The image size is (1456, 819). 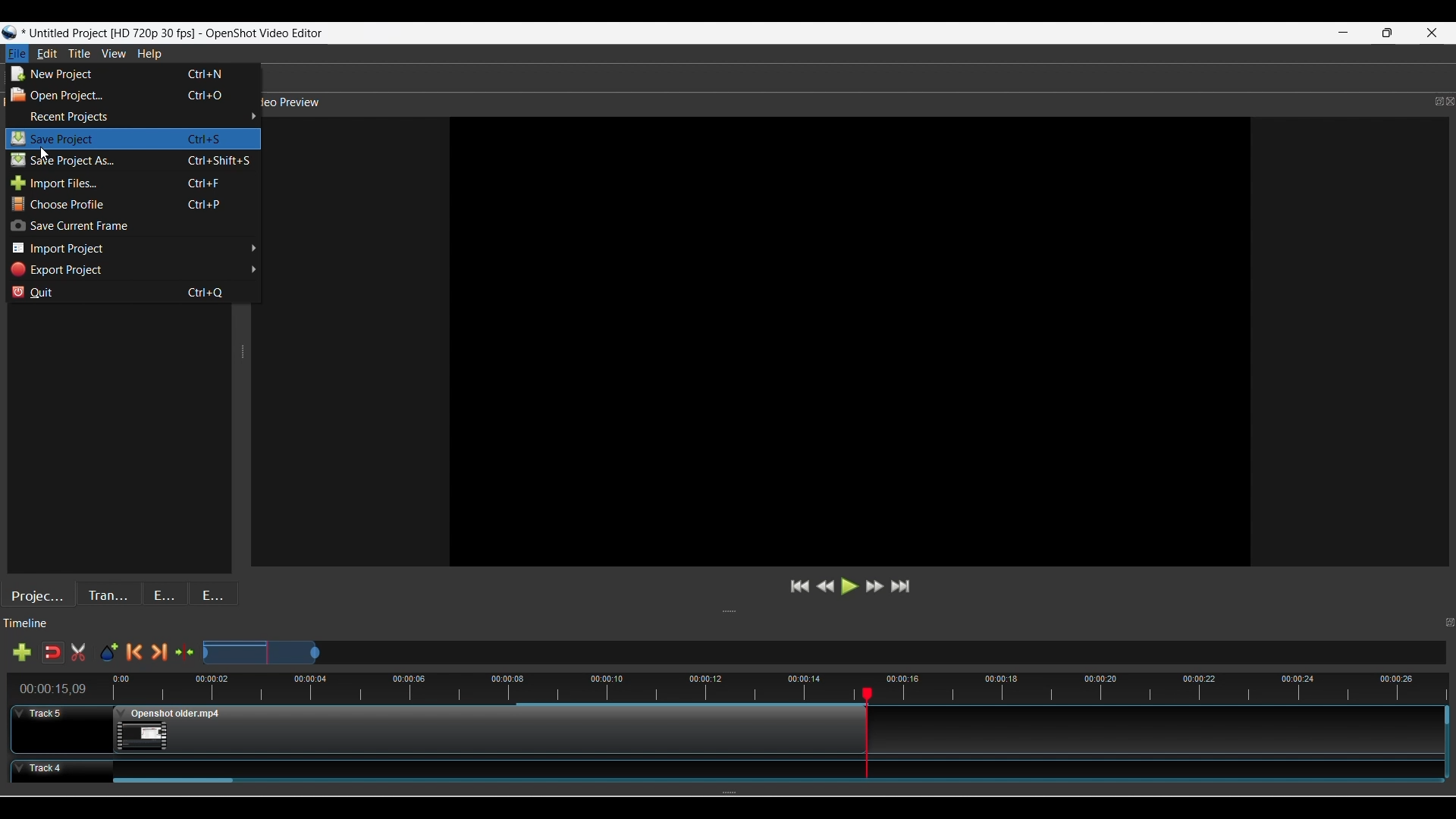 What do you see at coordinates (17, 54) in the screenshot?
I see `File` at bounding box center [17, 54].